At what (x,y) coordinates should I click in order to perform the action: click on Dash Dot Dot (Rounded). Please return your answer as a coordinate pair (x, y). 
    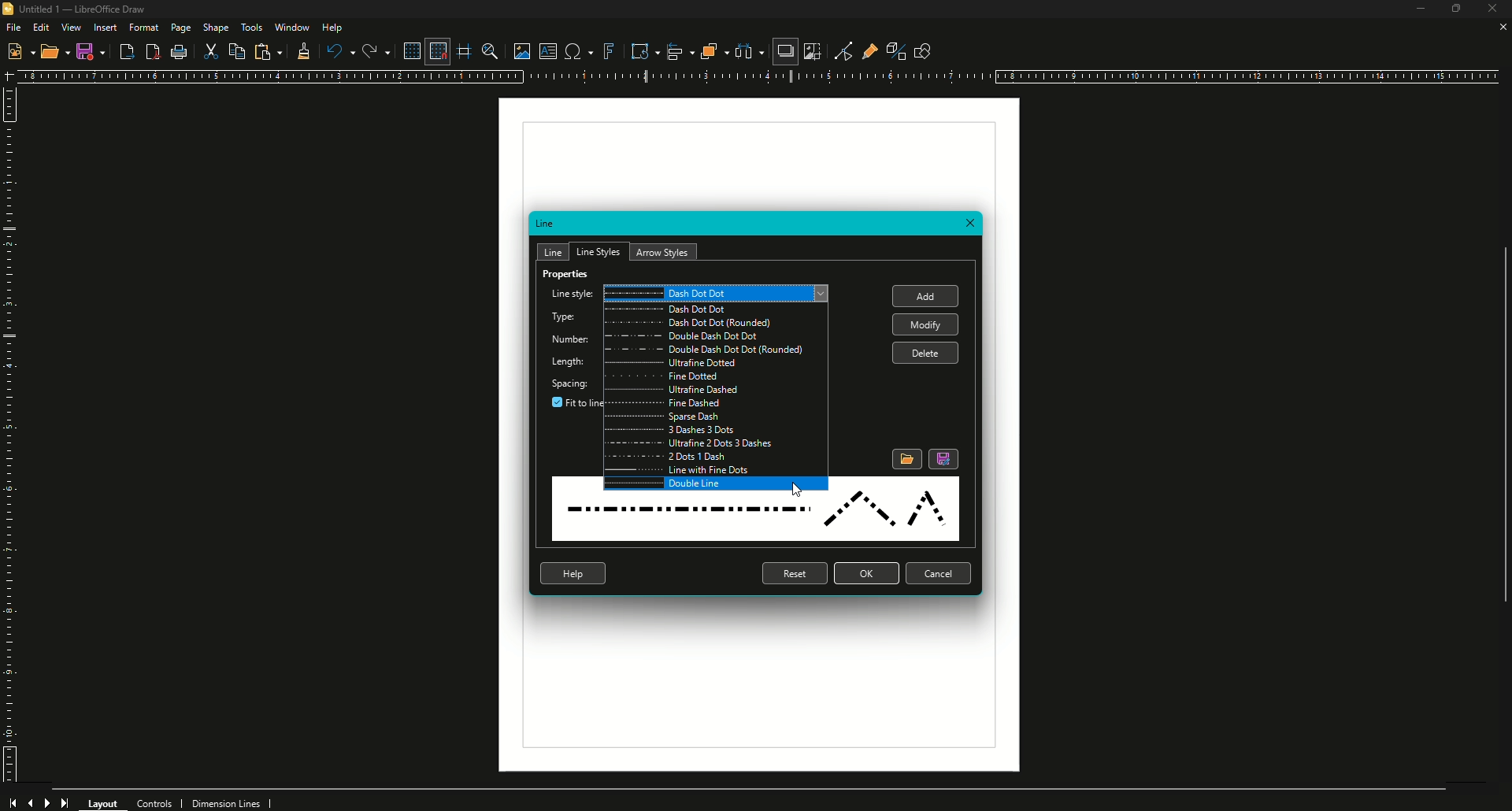
    Looking at the image, I should click on (715, 324).